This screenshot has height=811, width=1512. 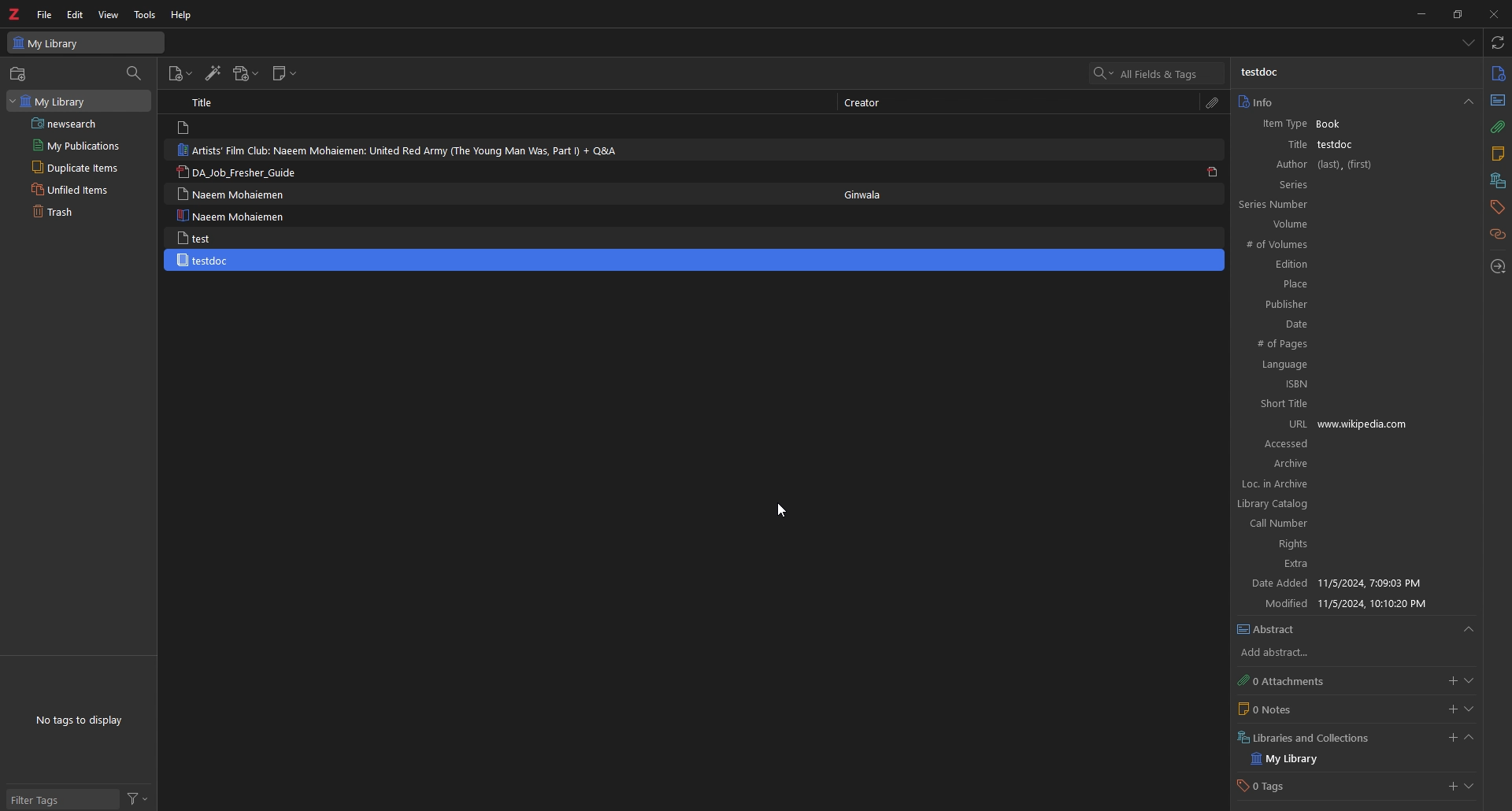 I want to click on saved search, so click(x=82, y=123).